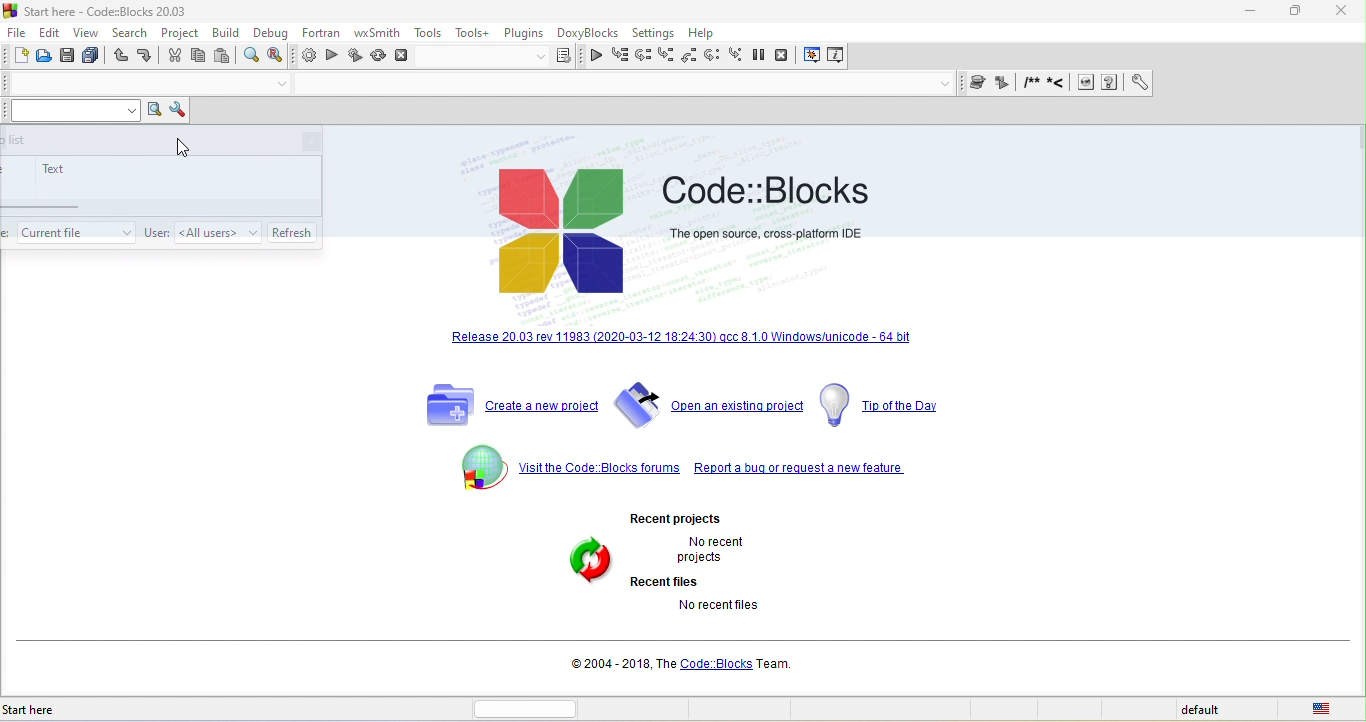  Describe the element at coordinates (886, 406) in the screenshot. I see `tip of the day` at that location.